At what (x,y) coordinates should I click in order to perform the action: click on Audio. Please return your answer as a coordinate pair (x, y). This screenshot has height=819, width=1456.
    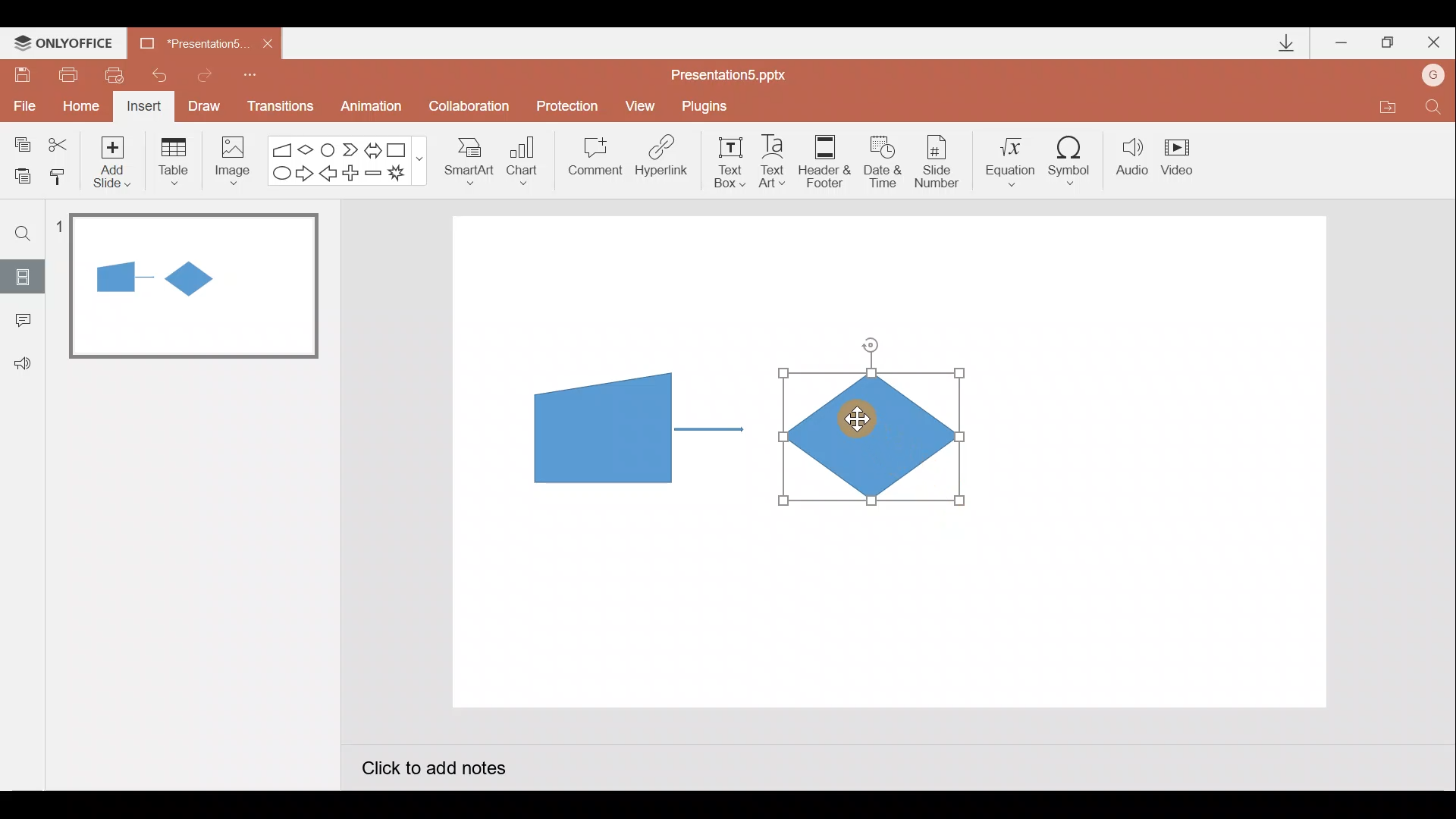
    Looking at the image, I should click on (1133, 160).